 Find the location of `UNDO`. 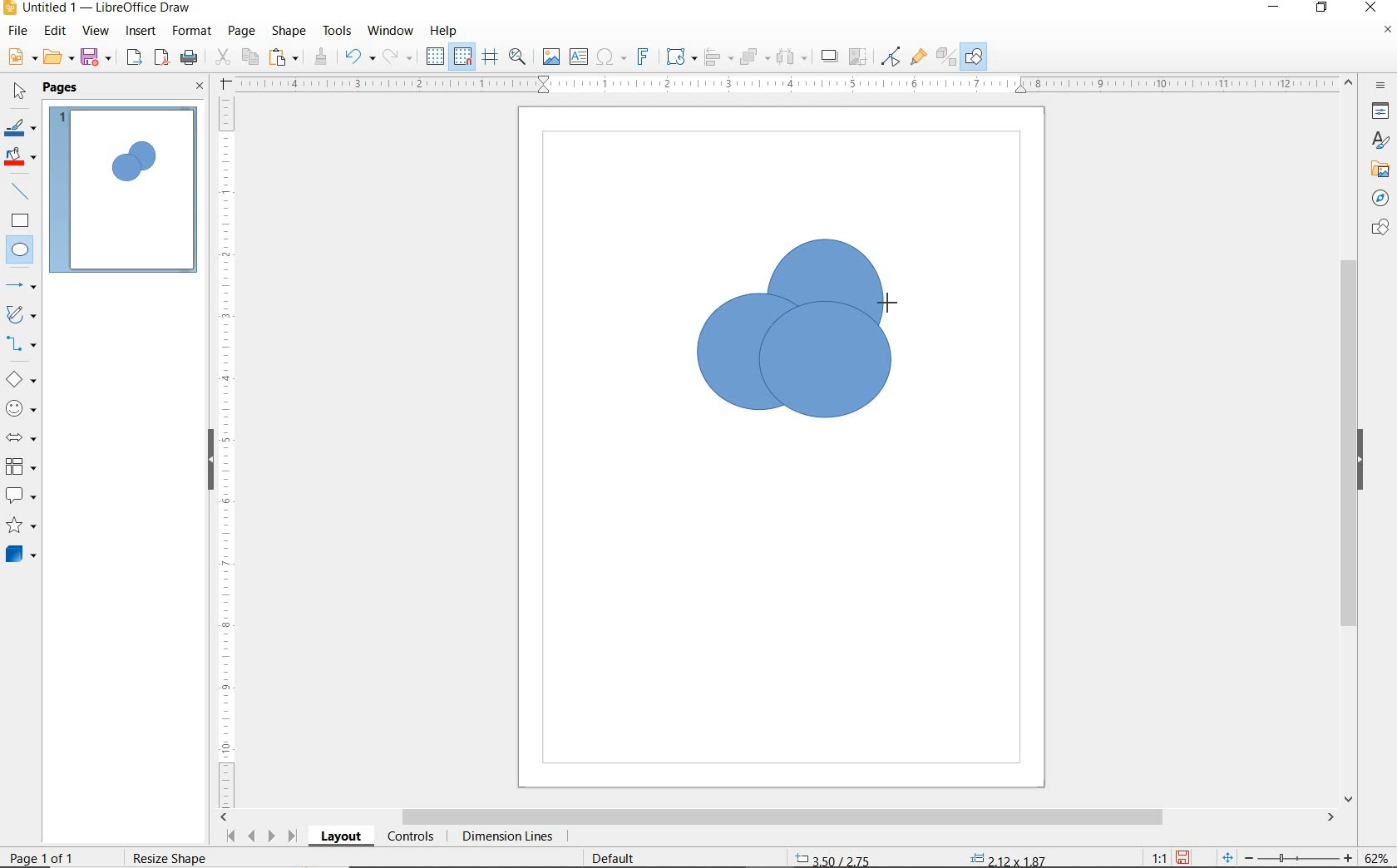

UNDO is located at coordinates (359, 58).